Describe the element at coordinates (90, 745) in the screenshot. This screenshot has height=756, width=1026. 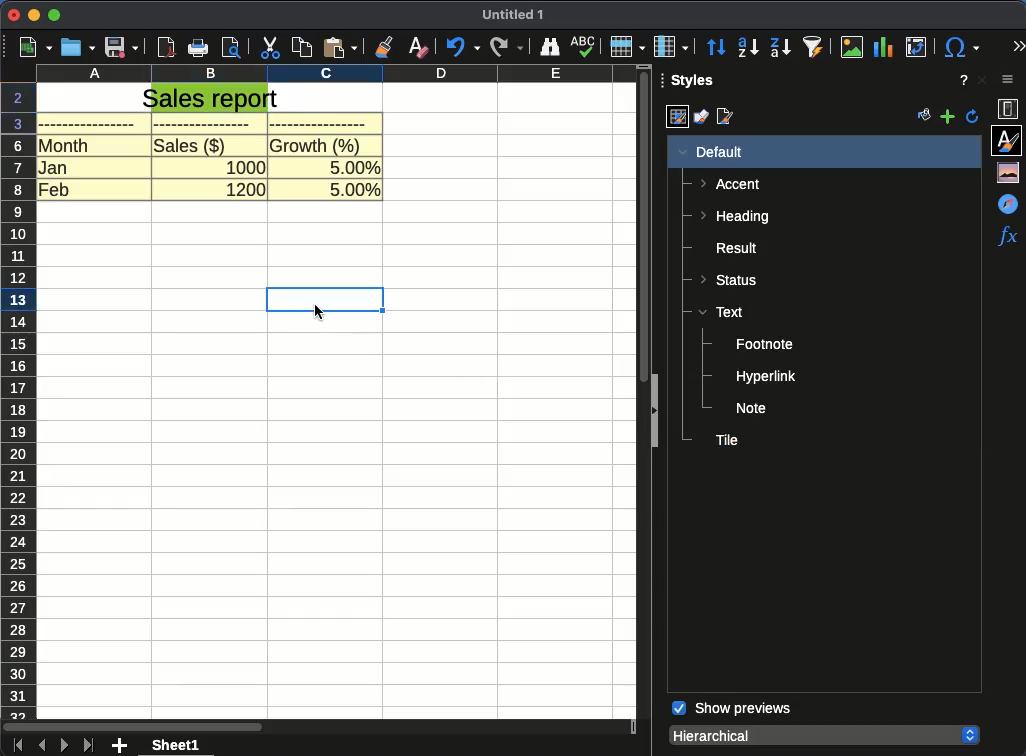
I see `last sheet` at that location.